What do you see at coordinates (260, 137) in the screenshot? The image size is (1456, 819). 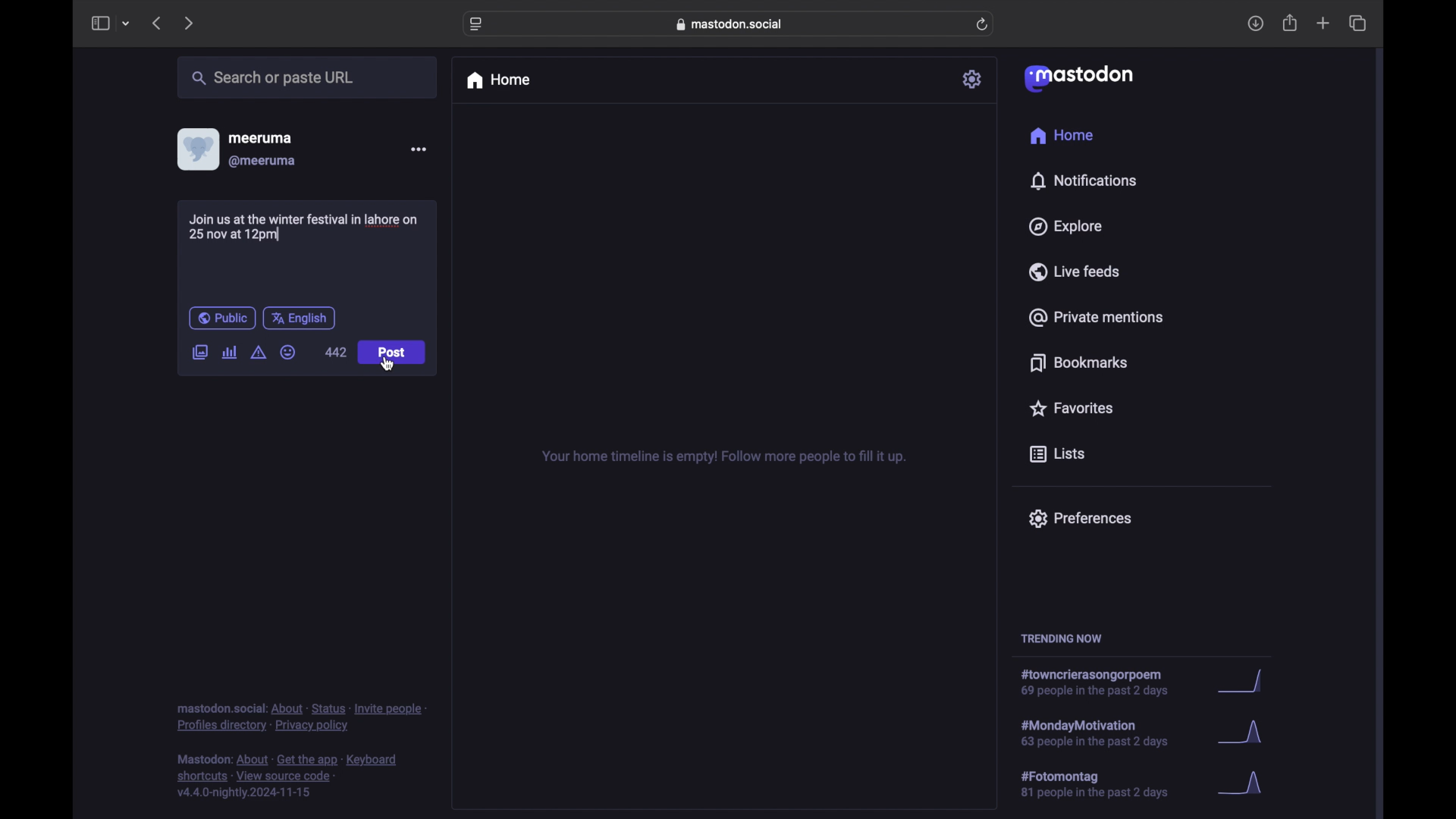 I see `meeruma` at bounding box center [260, 137].